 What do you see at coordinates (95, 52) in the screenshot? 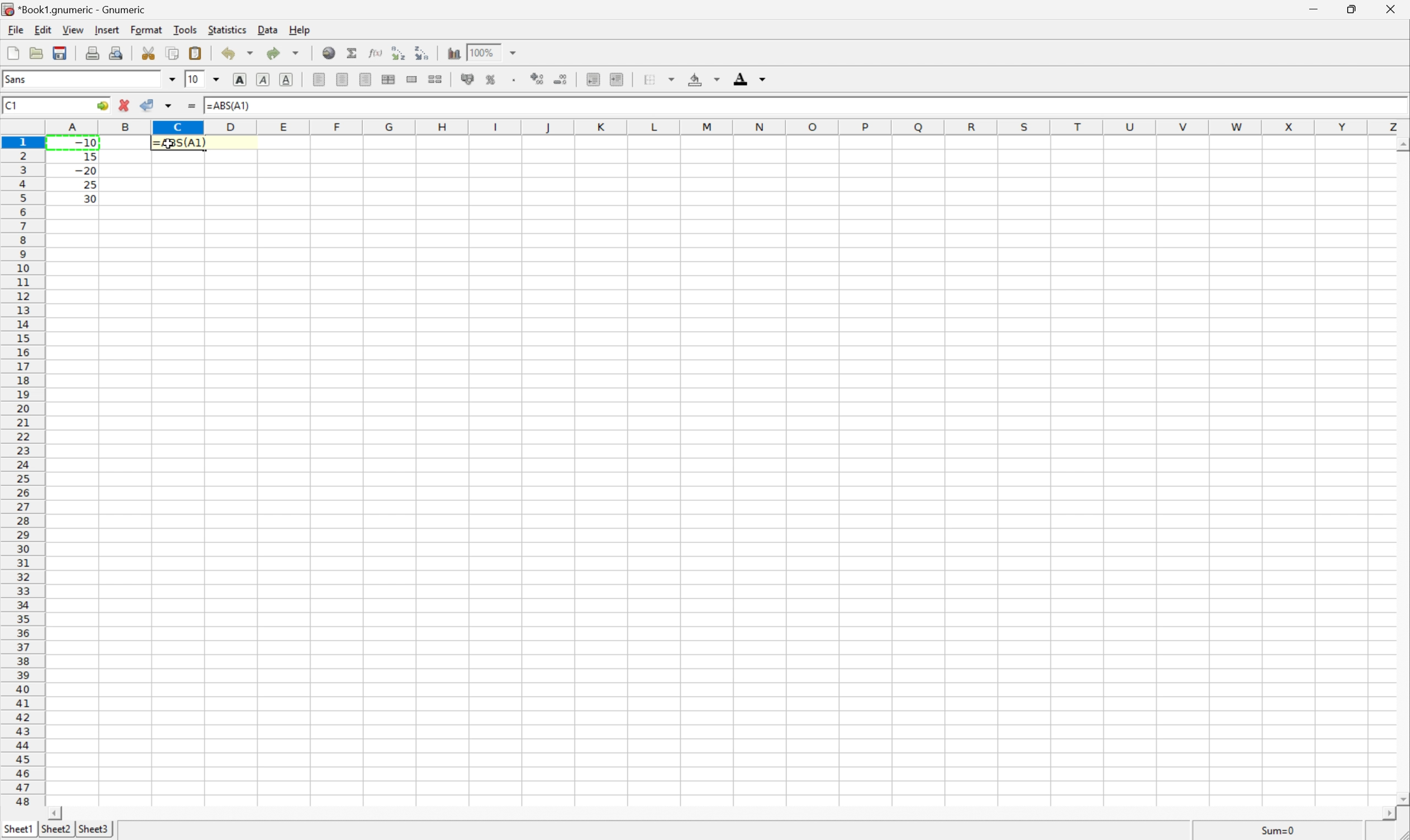
I see `Print the current File` at bounding box center [95, 52].